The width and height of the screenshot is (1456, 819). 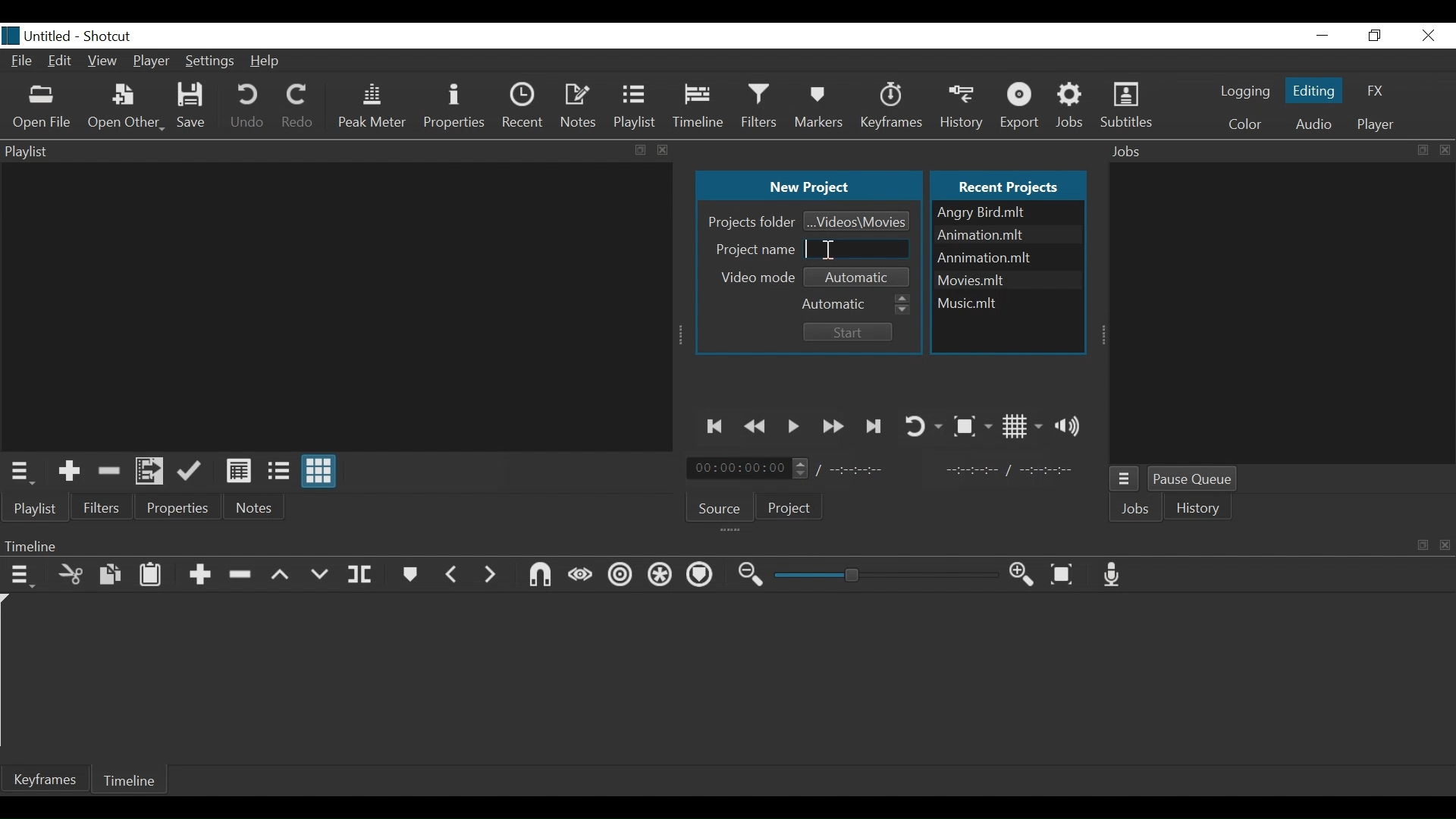 I want to click on View, so click(x=103, y=63).